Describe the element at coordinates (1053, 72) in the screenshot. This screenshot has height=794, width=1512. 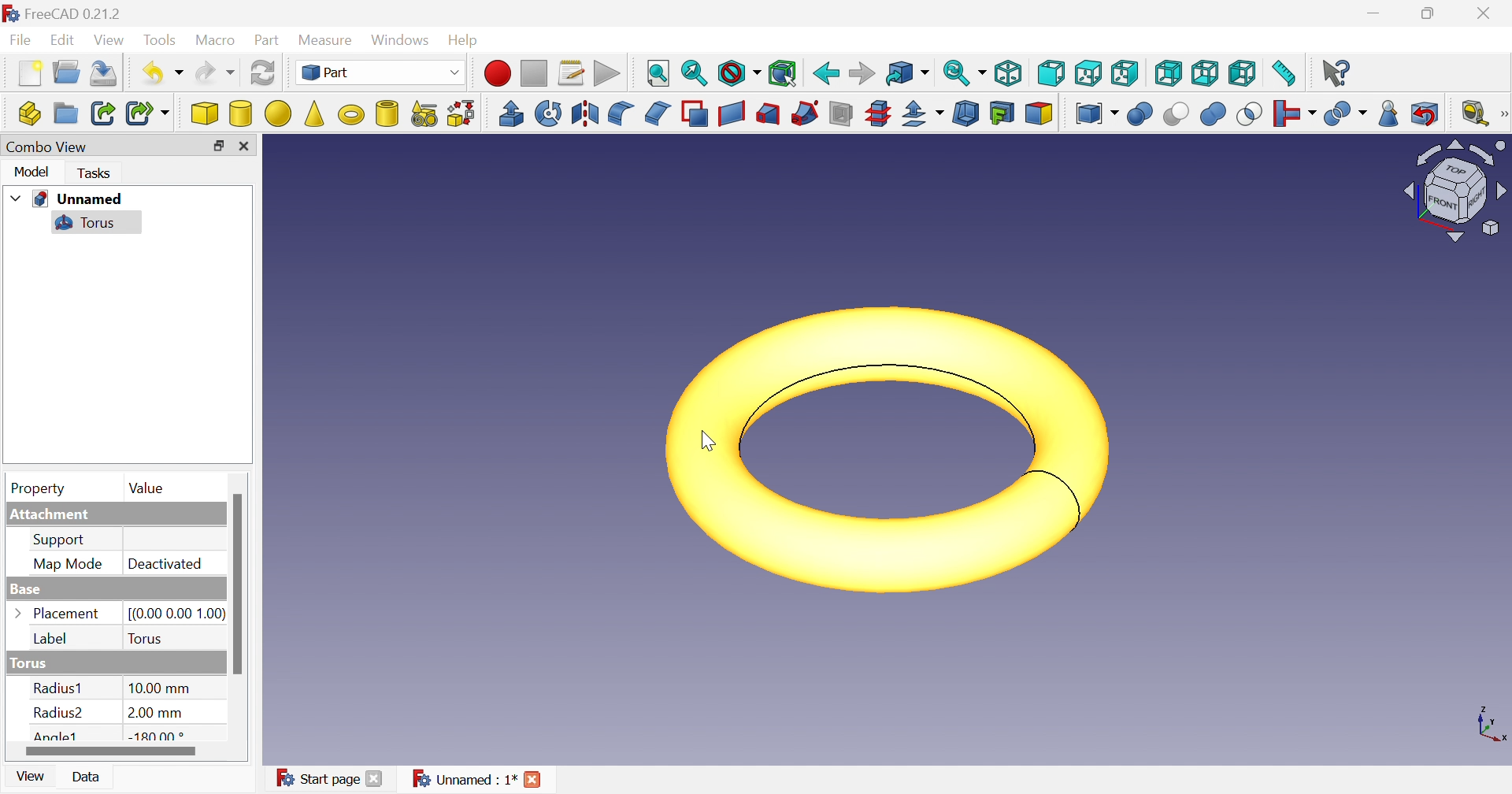
I see `Front` at that location.